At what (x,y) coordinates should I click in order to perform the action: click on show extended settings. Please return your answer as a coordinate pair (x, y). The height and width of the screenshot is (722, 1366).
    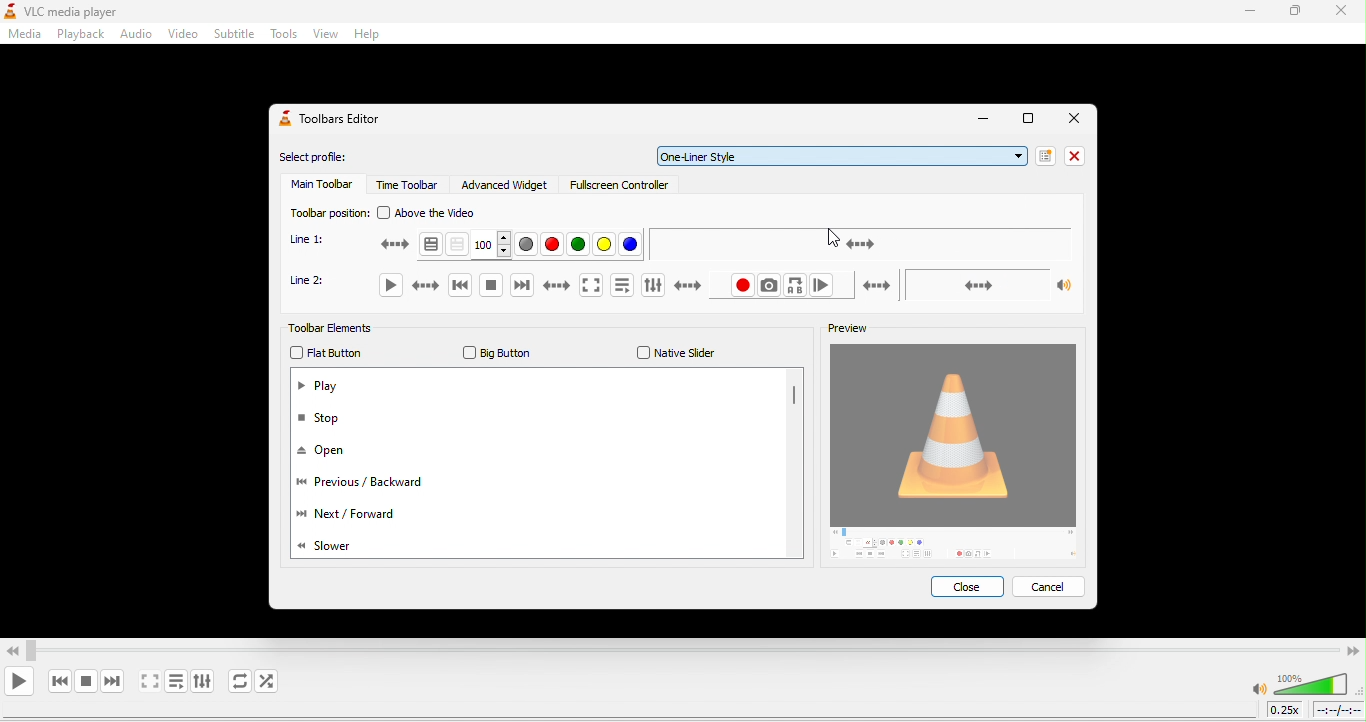
    Looking at the image, I should click on (203, 684).